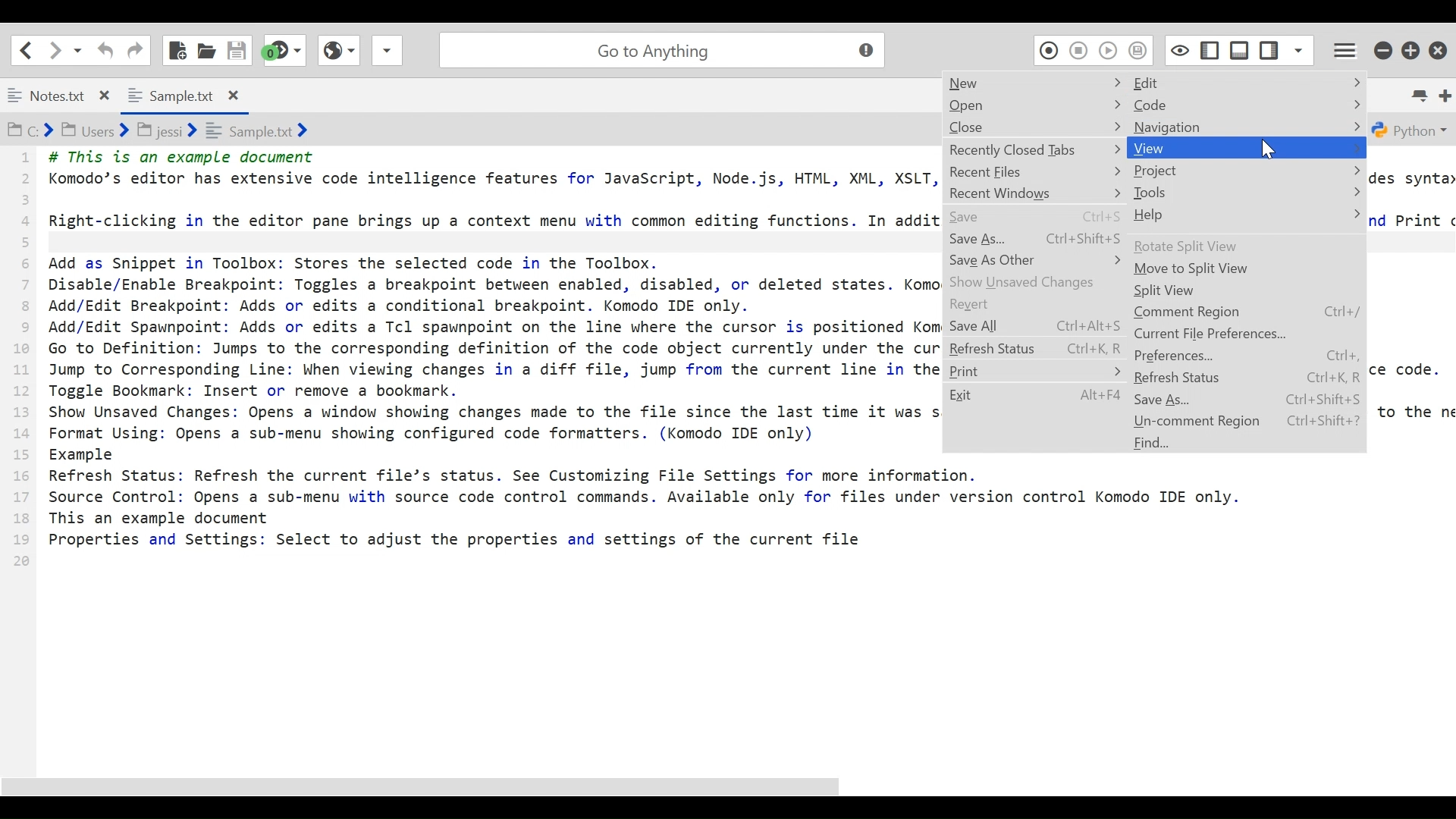 Image resolution: width=1456 pixels, height=819 pixels. What do you see at coordinates (1246, 215) in the screenshot?
I see `Help` at bounding box center [1246, 215].